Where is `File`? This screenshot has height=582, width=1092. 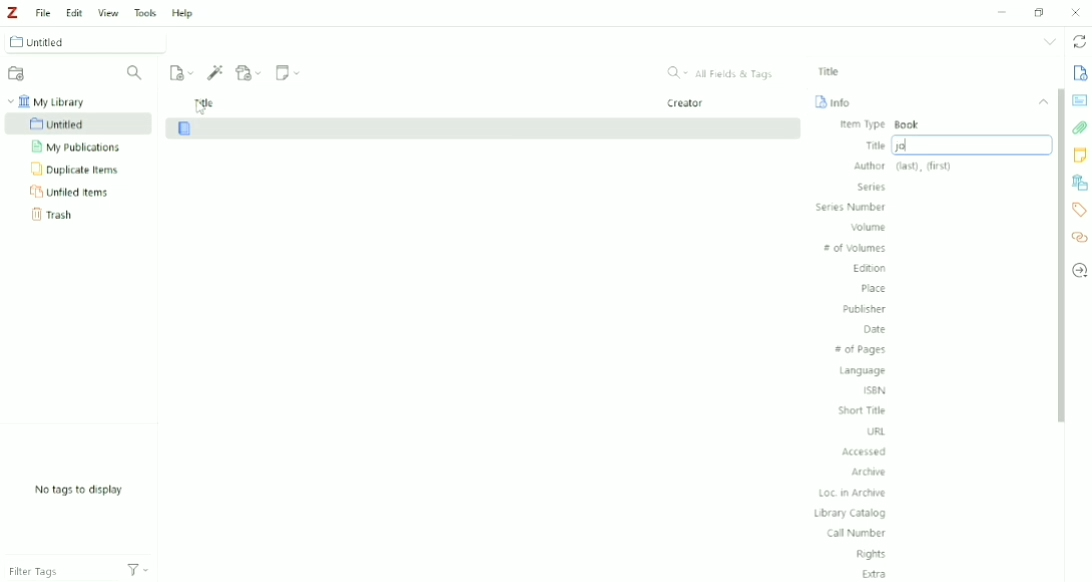 File is located at coordinates (42, 12).